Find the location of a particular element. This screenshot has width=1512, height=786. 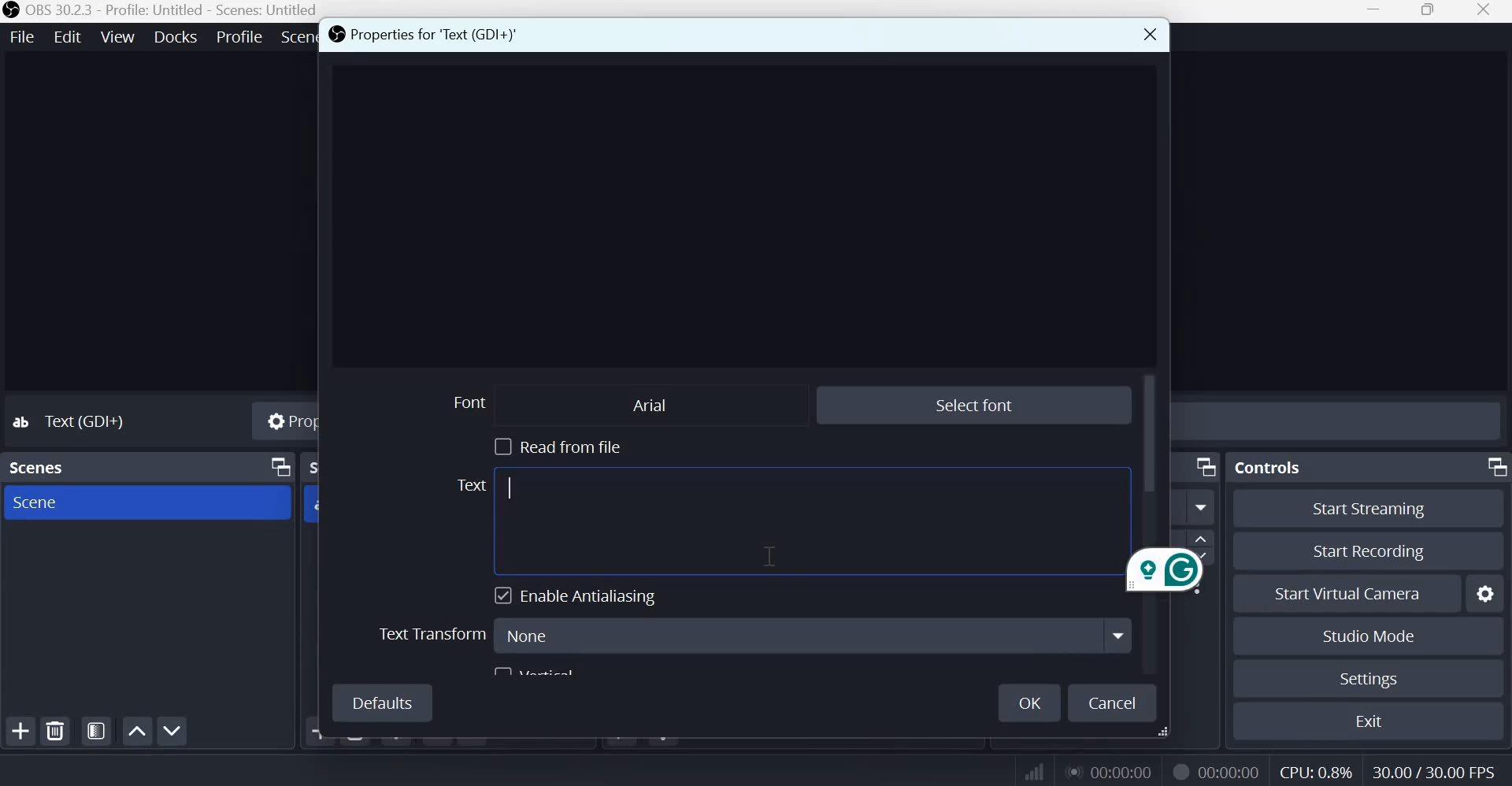

Grammarly is located at coordinates (1160, 572).